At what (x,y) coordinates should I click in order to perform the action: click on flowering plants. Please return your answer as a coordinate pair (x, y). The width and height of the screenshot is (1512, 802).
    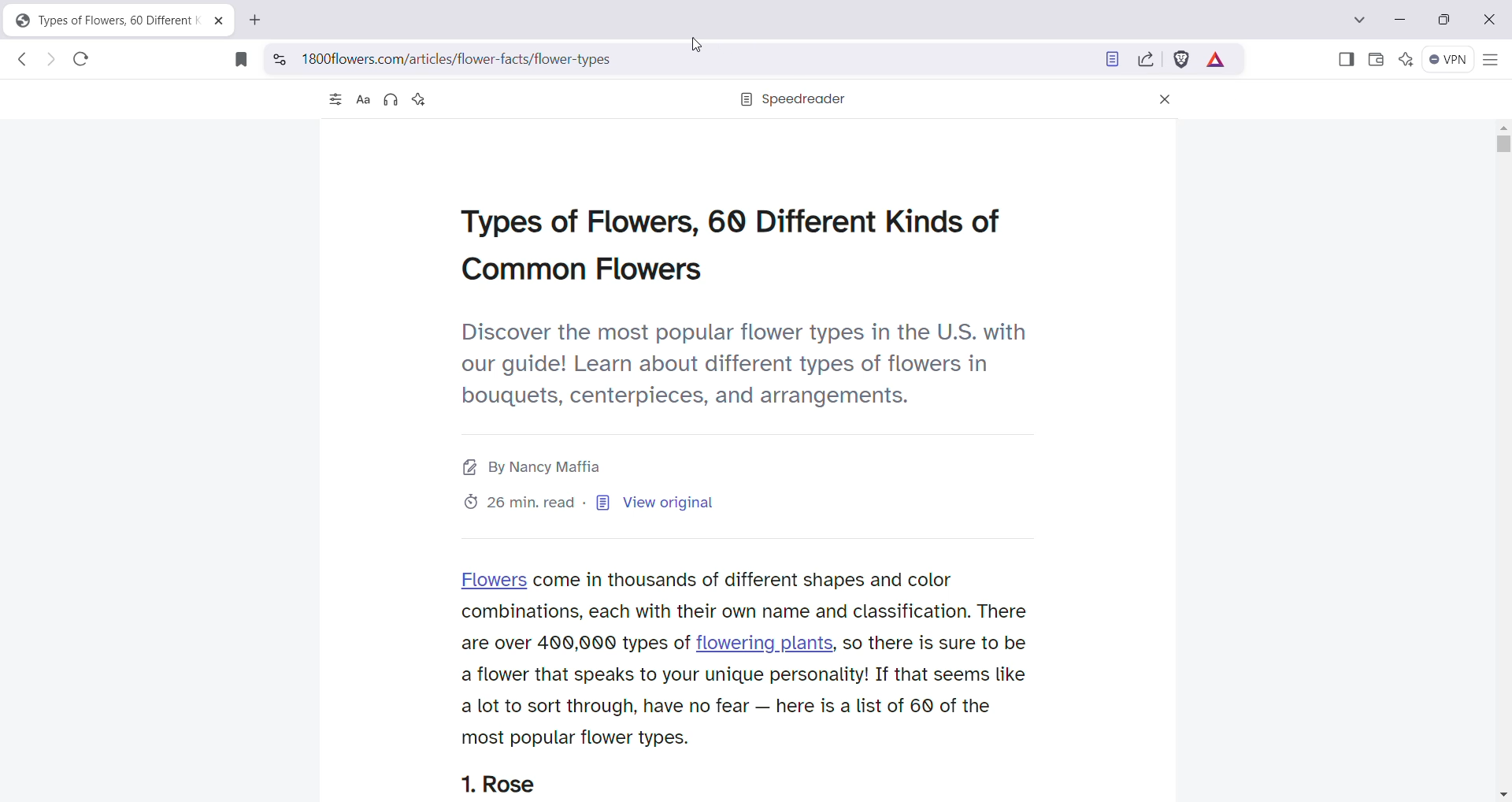
    Looking at the image, I should click on (767, 641).